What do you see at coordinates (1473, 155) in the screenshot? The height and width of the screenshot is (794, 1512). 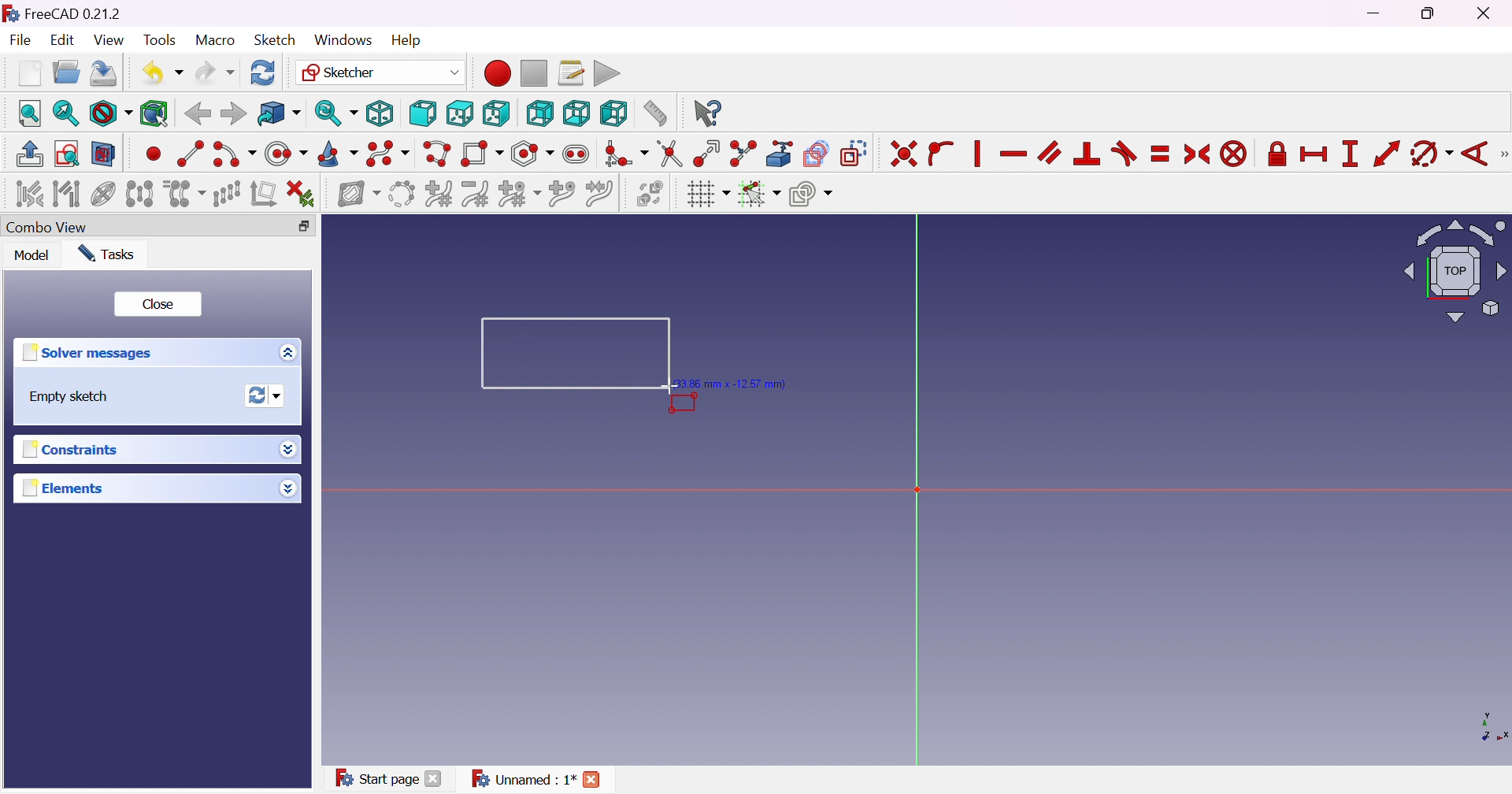 I see `Constrain angle` at bounding box center [1473, 155].